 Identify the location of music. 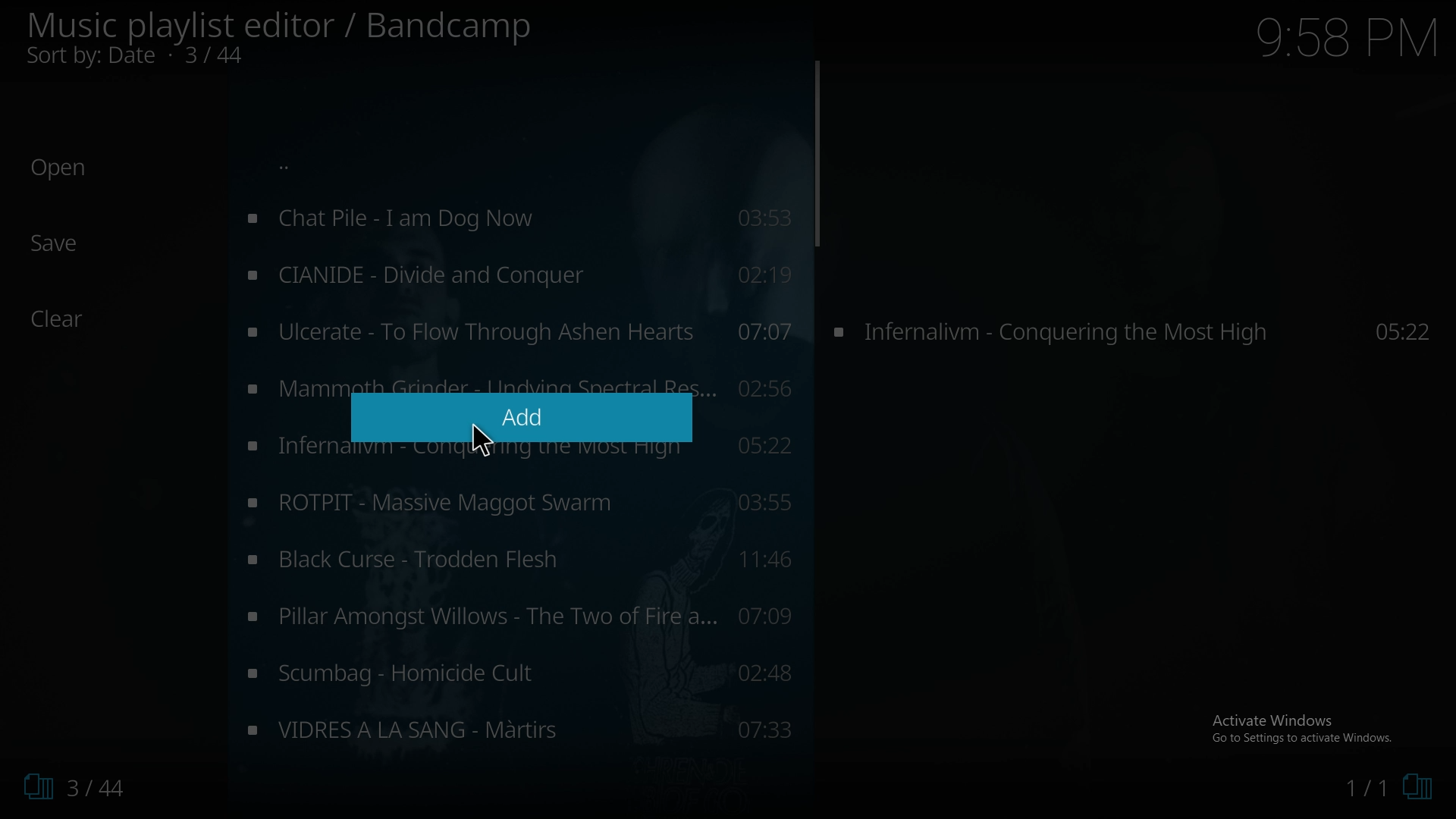
(517, 503).